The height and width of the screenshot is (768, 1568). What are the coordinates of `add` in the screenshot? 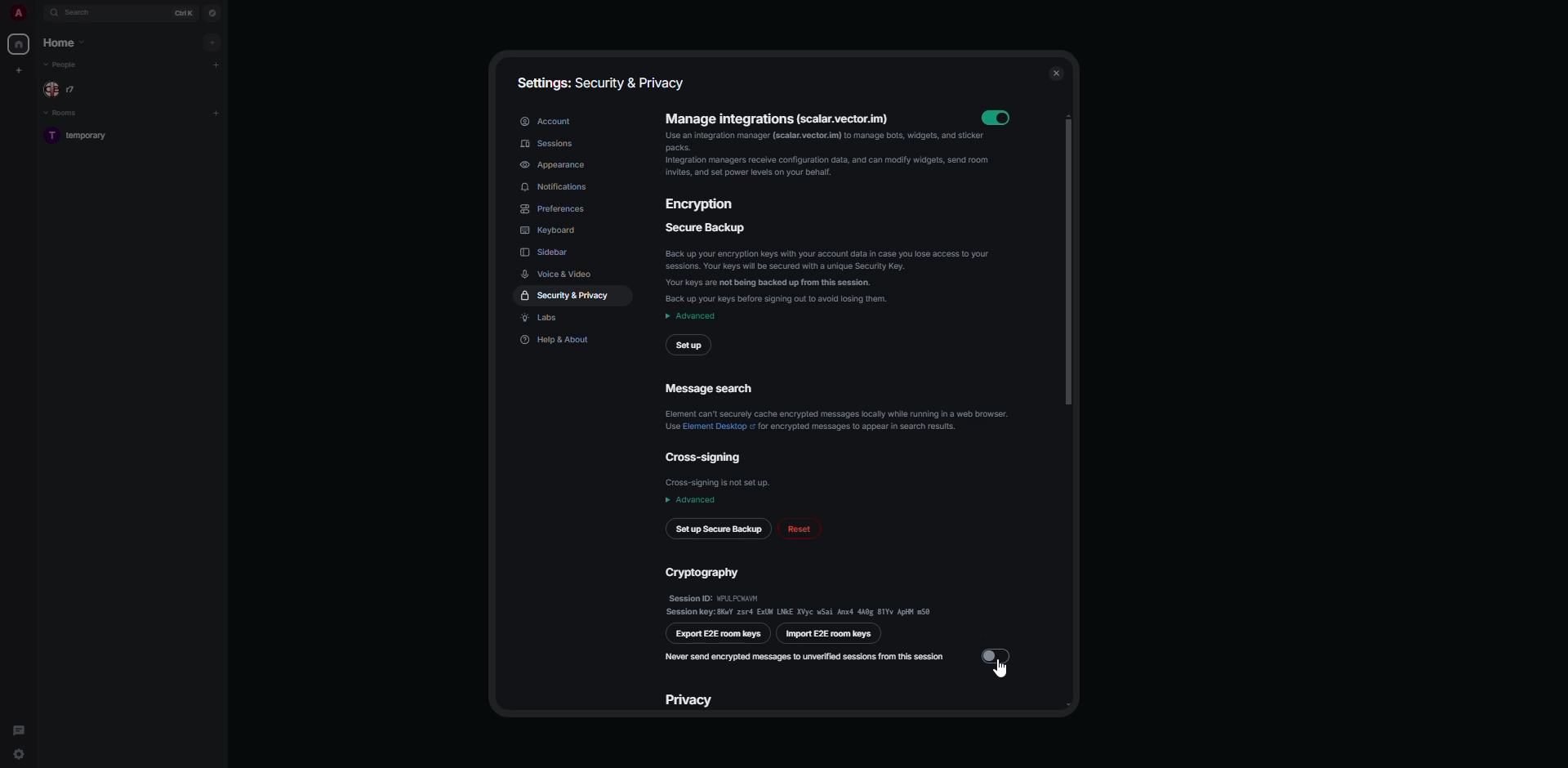 It's located at (216, 111).